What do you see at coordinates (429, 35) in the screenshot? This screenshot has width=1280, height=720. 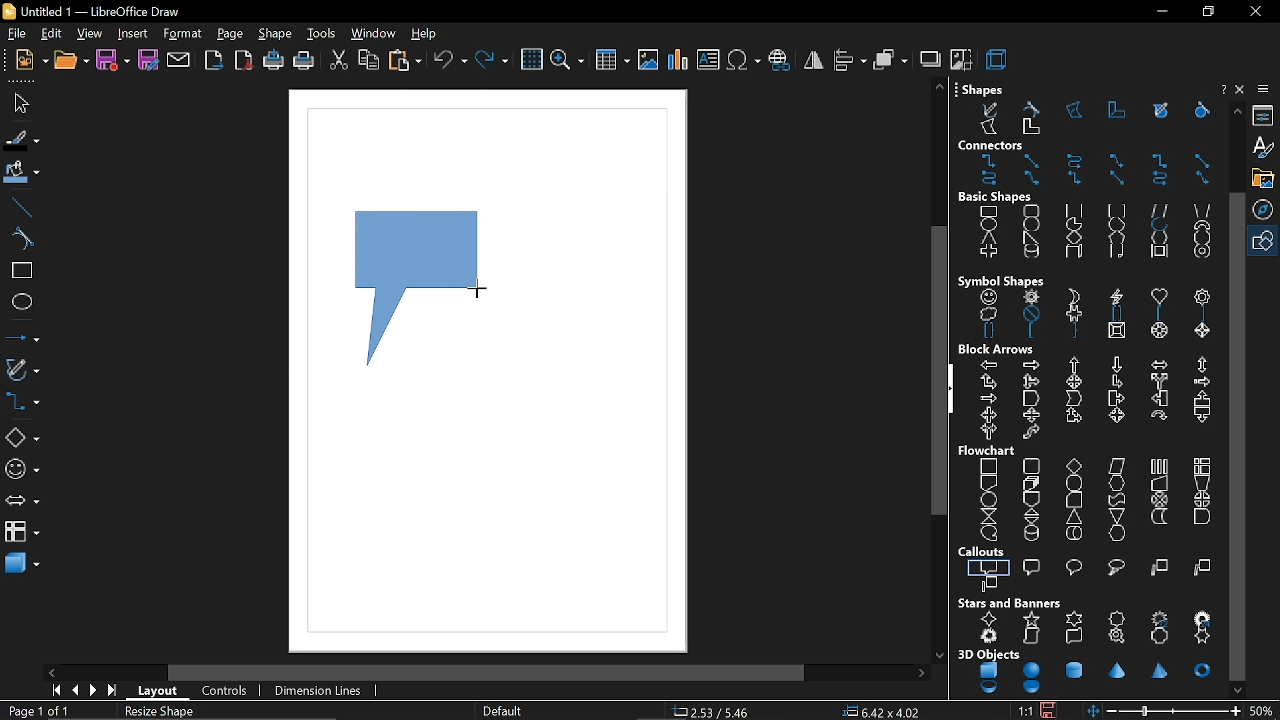 I see `help` at bounding box center [429, 35].